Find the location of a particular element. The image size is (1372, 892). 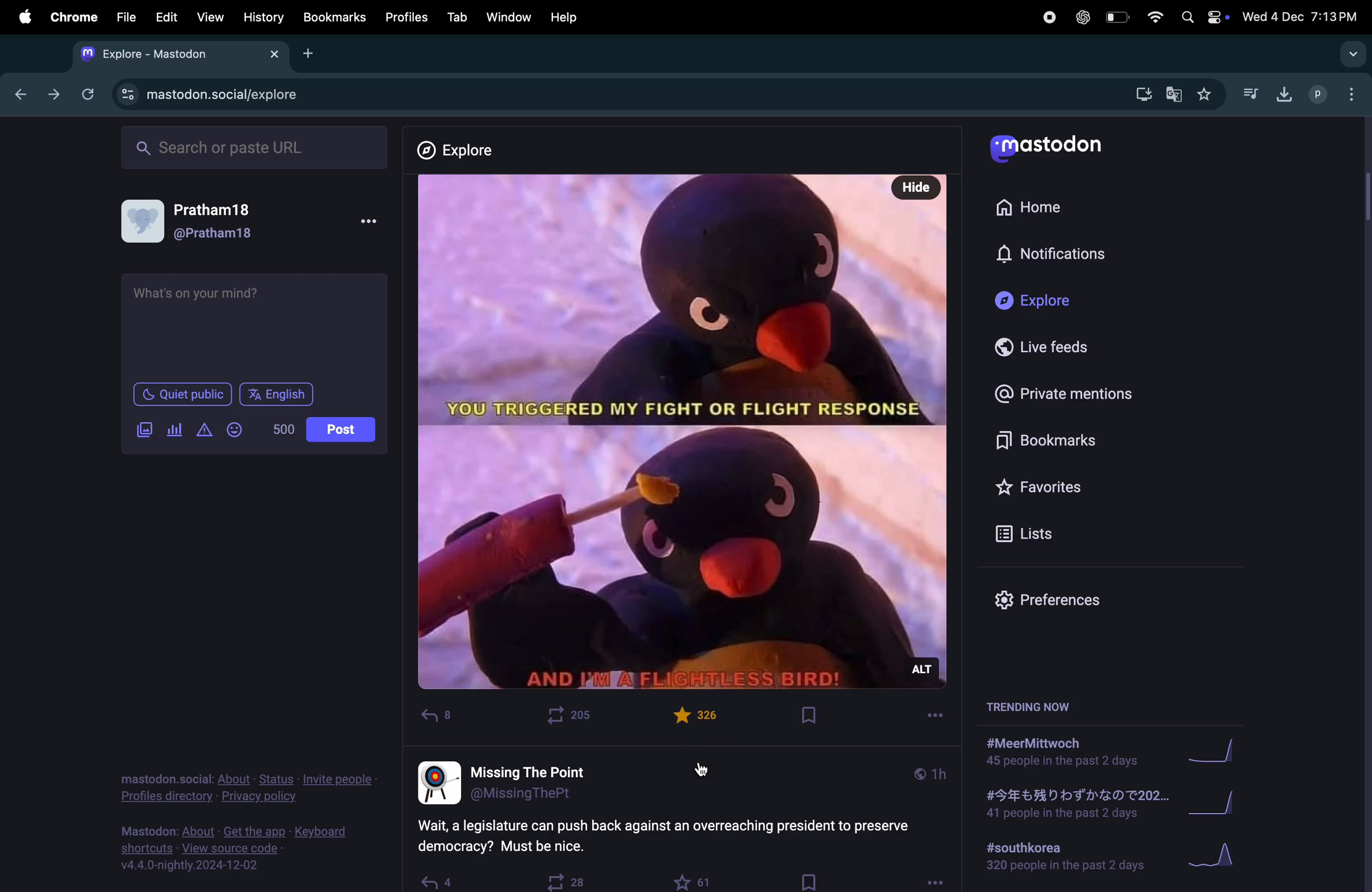

history is located at coordinates (262, 16).